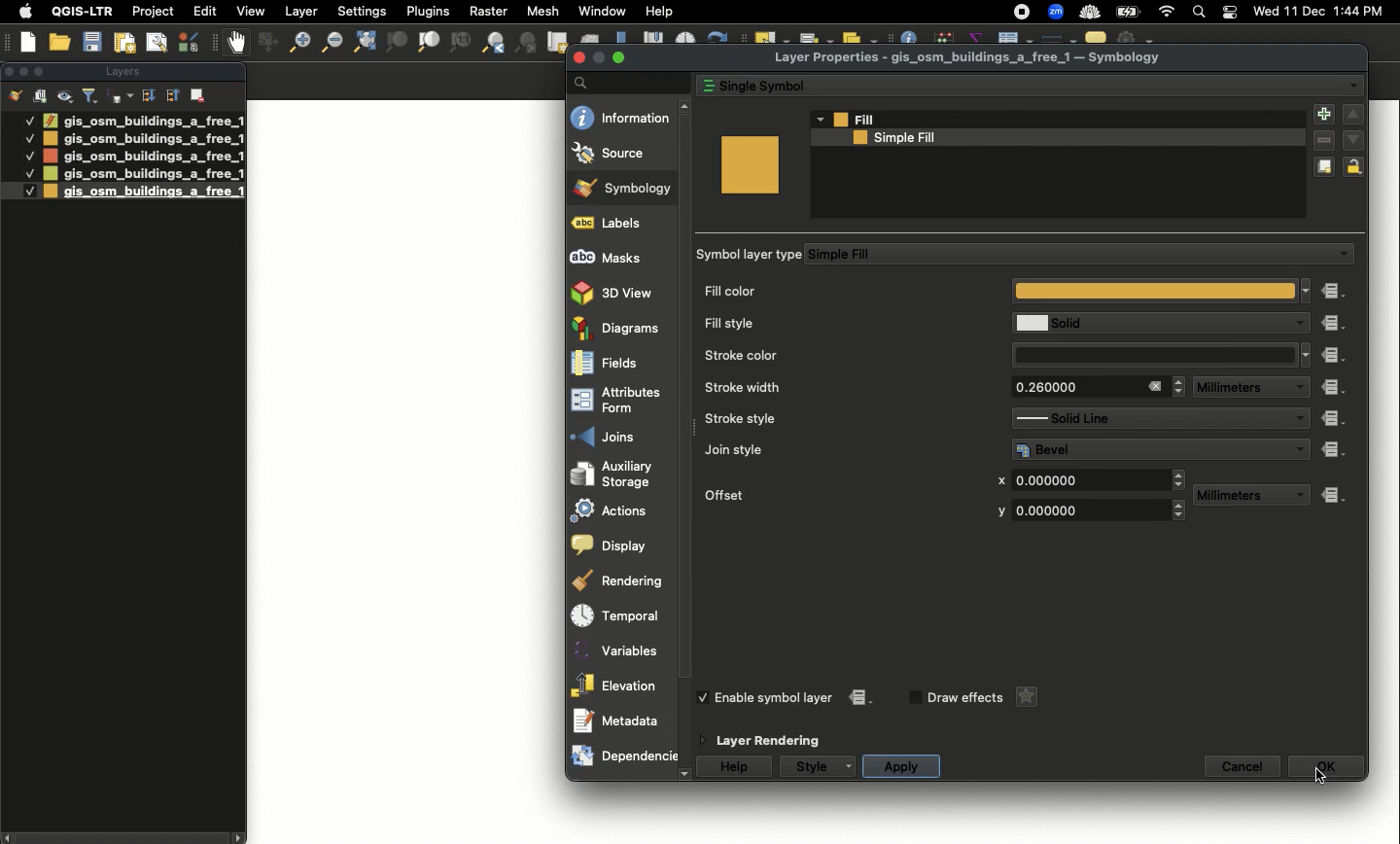  What do you see at coordinates (1088, 478) in the screenshot?
I see ` 0.000000` at bounding box center [1088, 478].